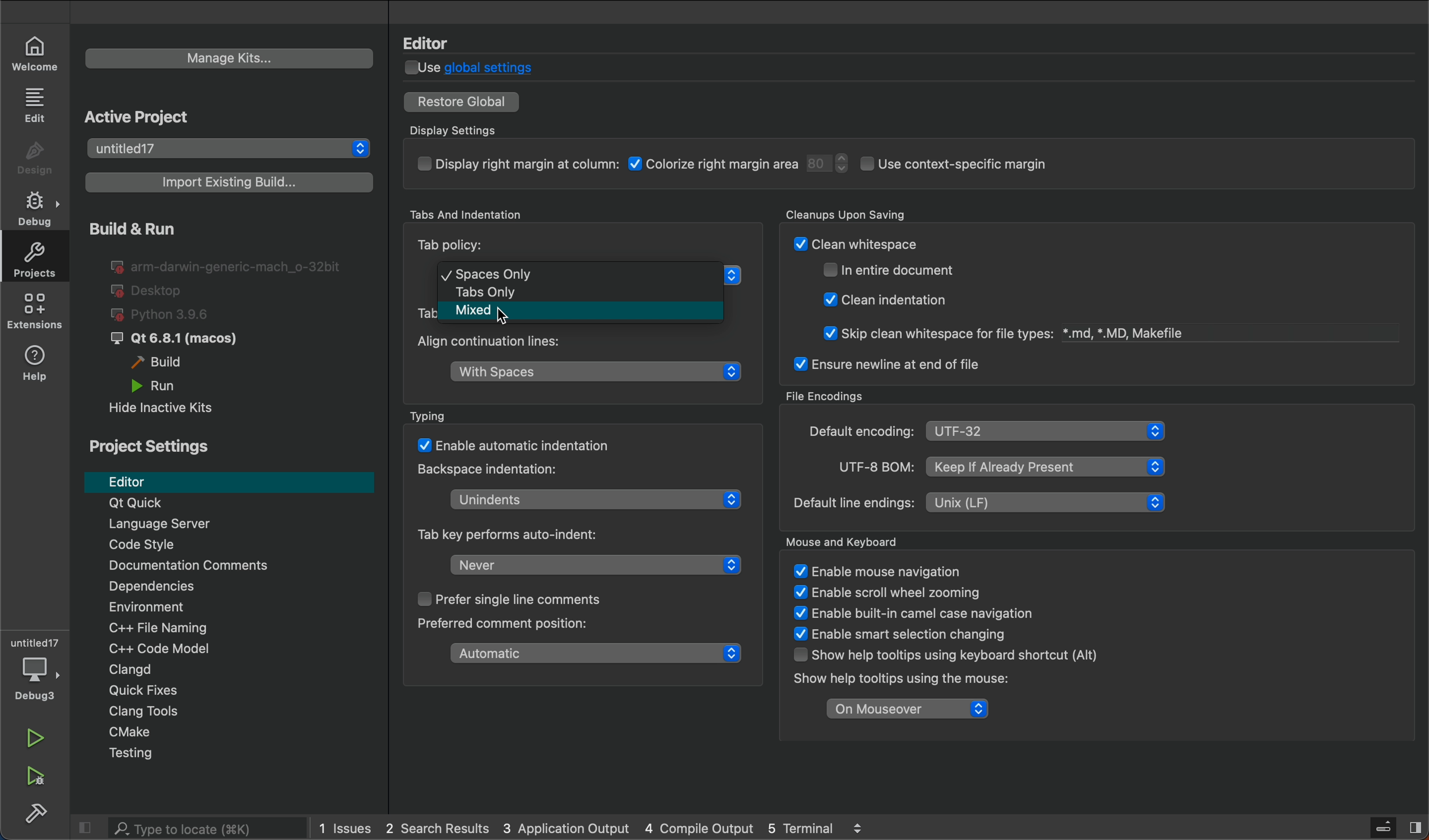 Image resolution: width=1429 pixels, height=840 pixels. Describe the element at coordinates (519, 534) in the screenshot. I see `key performs` at that location.